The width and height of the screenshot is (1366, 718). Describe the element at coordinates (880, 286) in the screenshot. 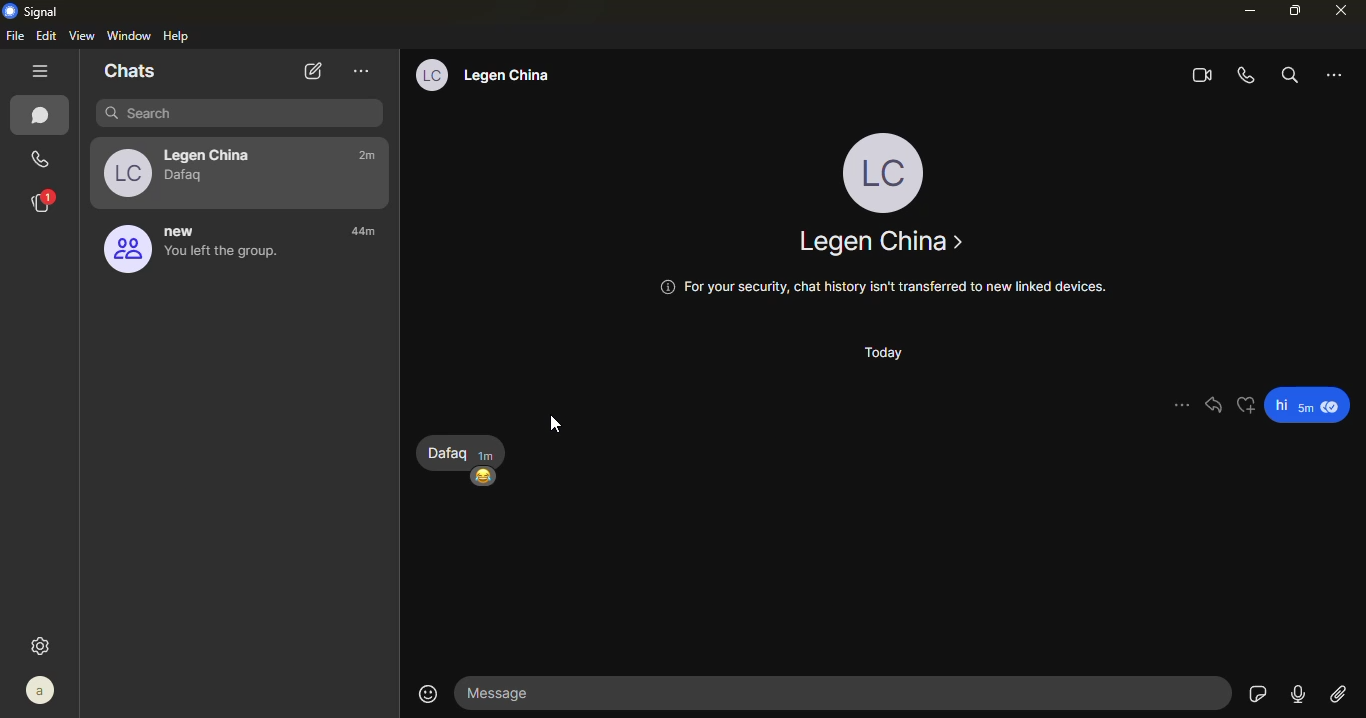

I see `@ For your security, chat history isn't transferred to new linked devices.` at that location.